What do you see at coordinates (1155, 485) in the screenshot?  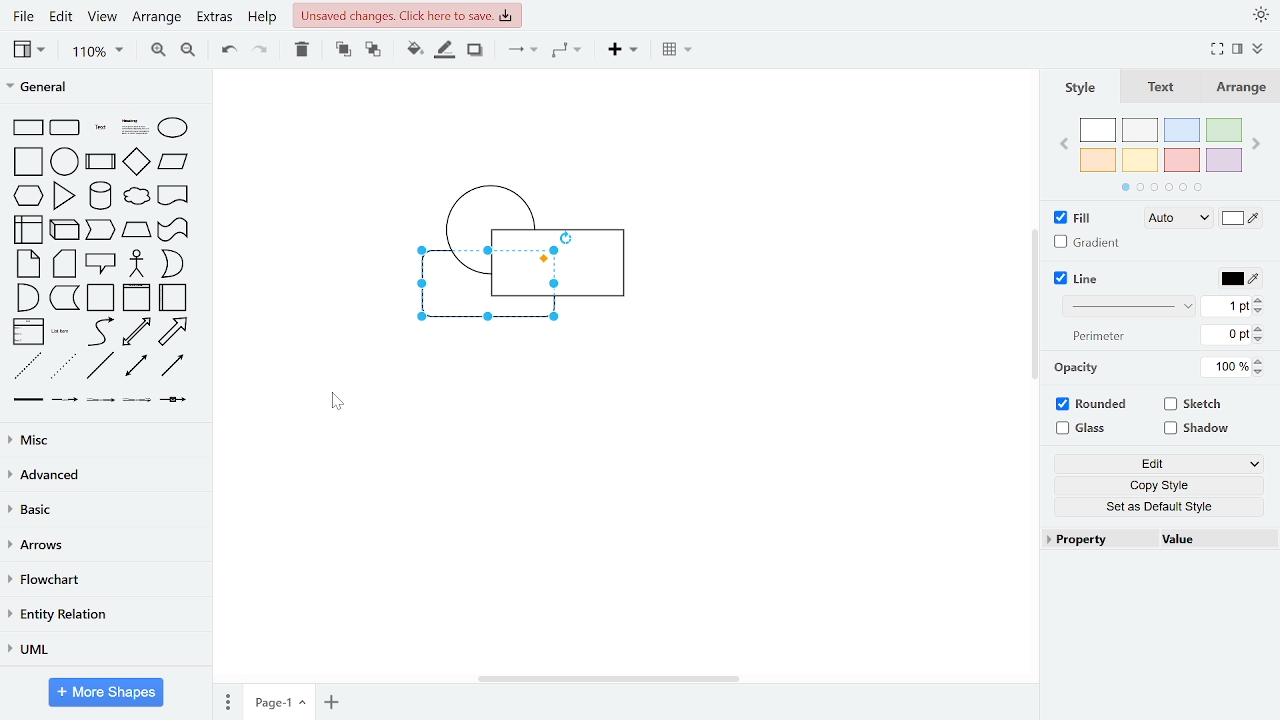 I see `copy style` at bounding box center [1155, 485].